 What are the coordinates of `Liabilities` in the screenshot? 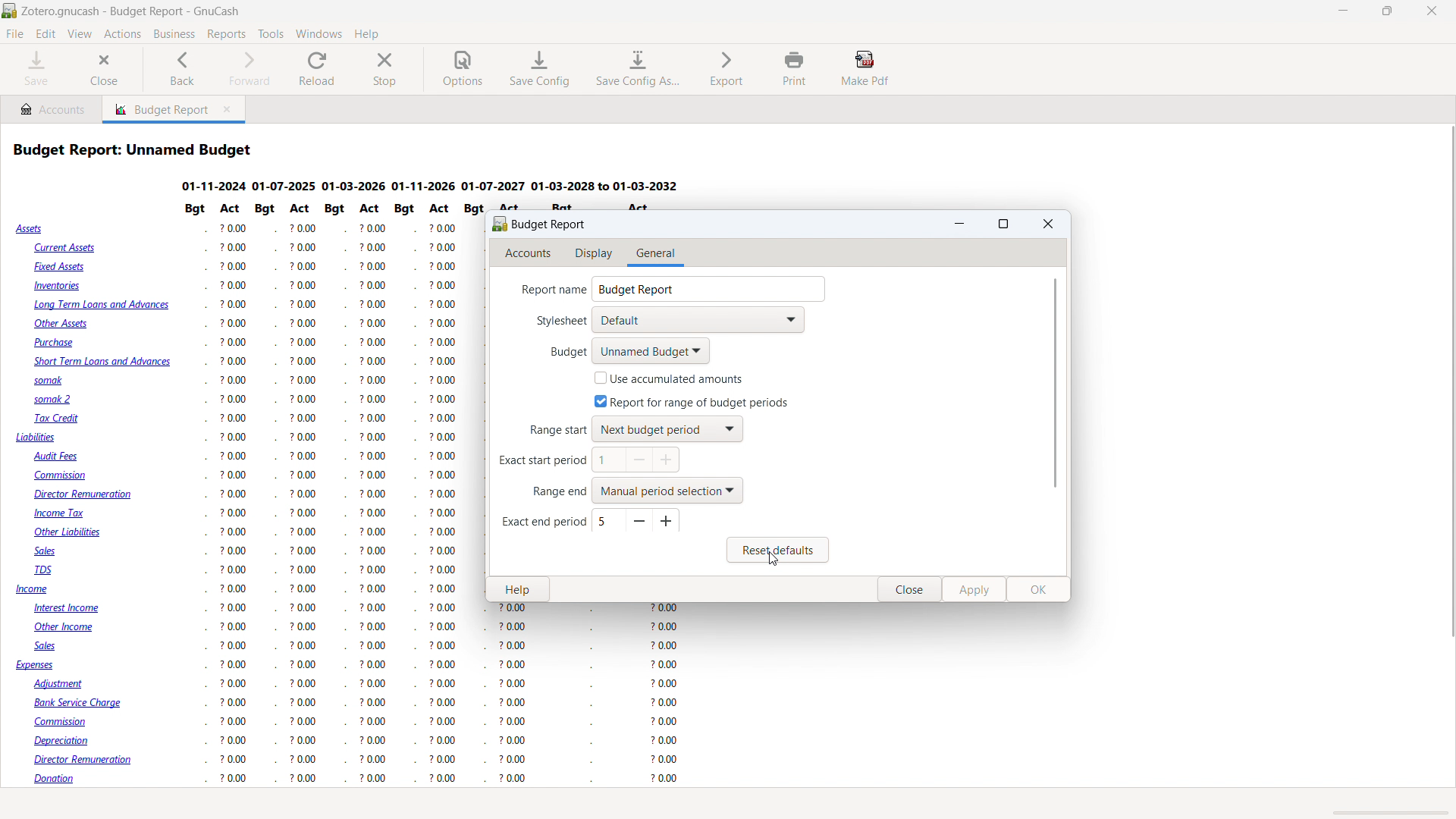 It's located at (36, 438).